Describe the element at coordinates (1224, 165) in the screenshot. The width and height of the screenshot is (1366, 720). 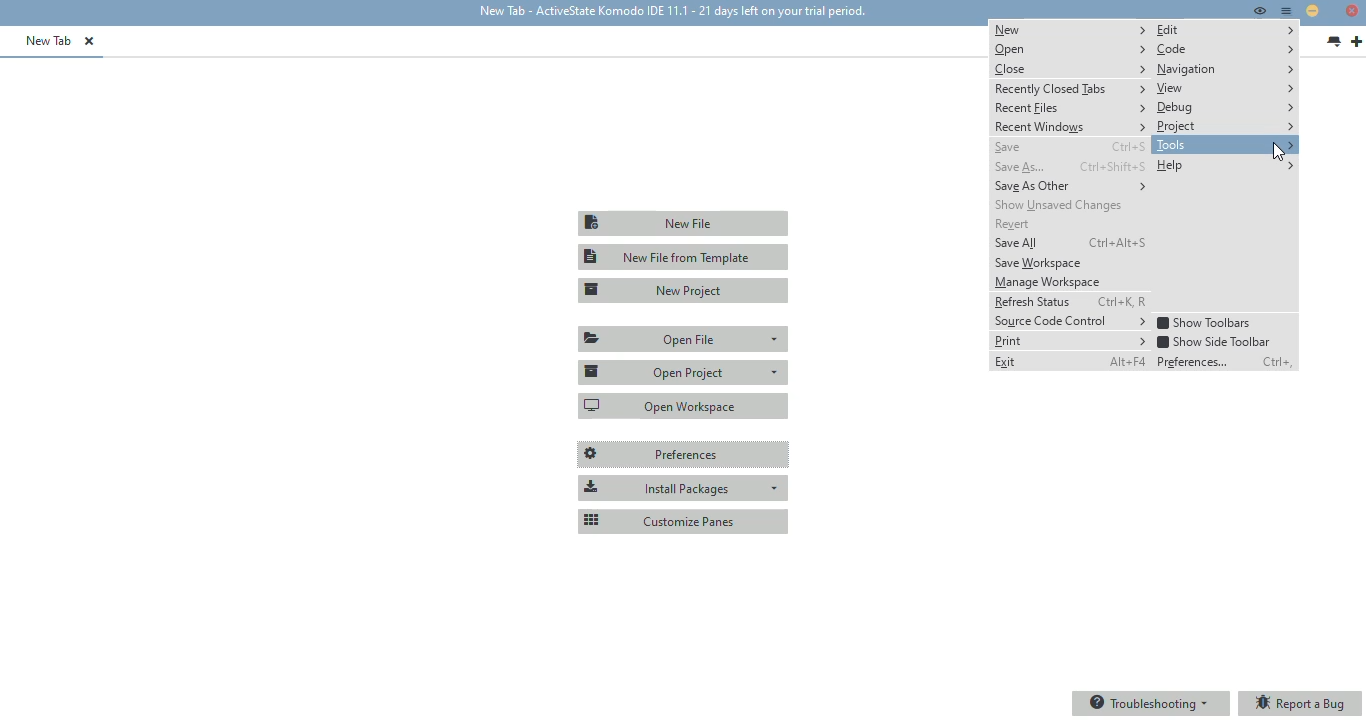
I see `help` at that location.